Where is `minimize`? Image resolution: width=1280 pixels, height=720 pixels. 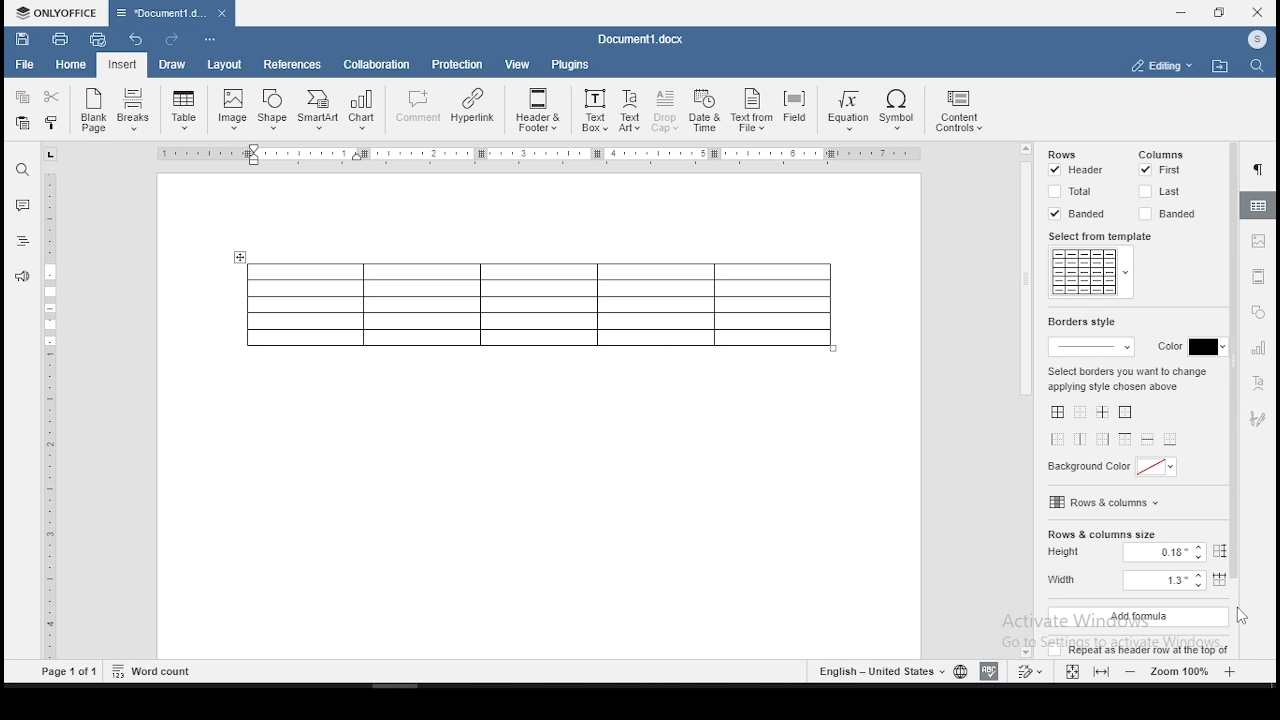
minimize is located at coordinates (1183, 12).